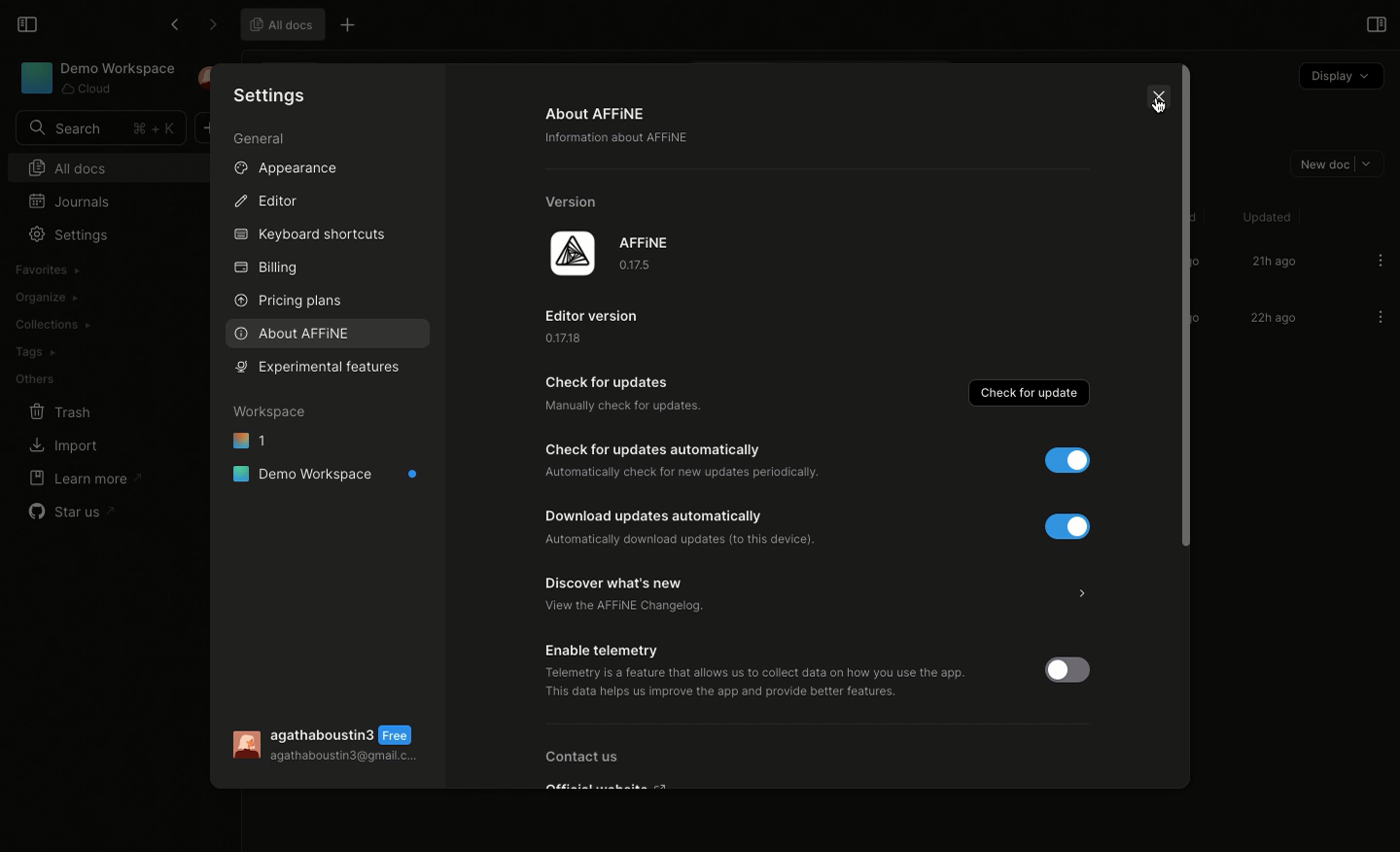  Describe the element at coordinates (1057, 461) in the screenshot. I see `Enabled` at that location.